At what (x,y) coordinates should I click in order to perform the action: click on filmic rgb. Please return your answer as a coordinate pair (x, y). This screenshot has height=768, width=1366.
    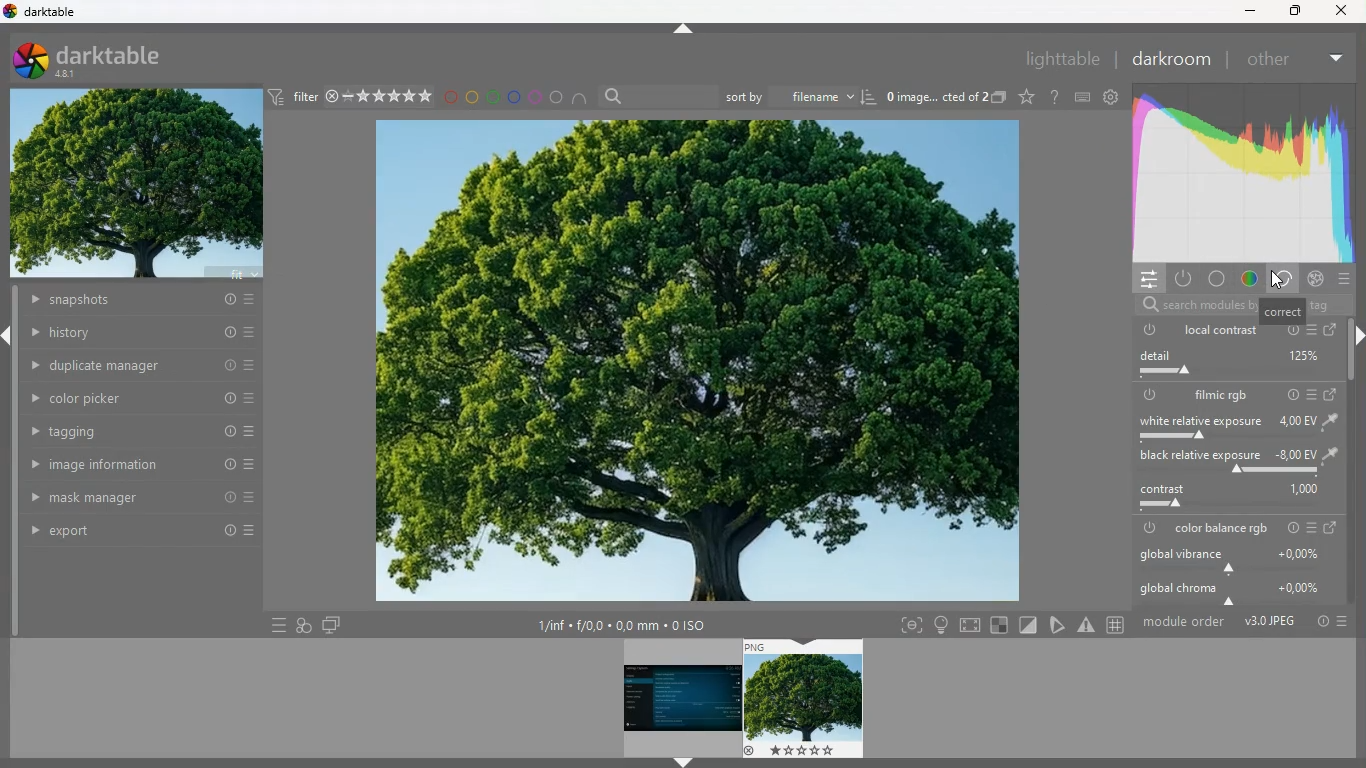
    Looking at the image, I should click on (1219, 395).